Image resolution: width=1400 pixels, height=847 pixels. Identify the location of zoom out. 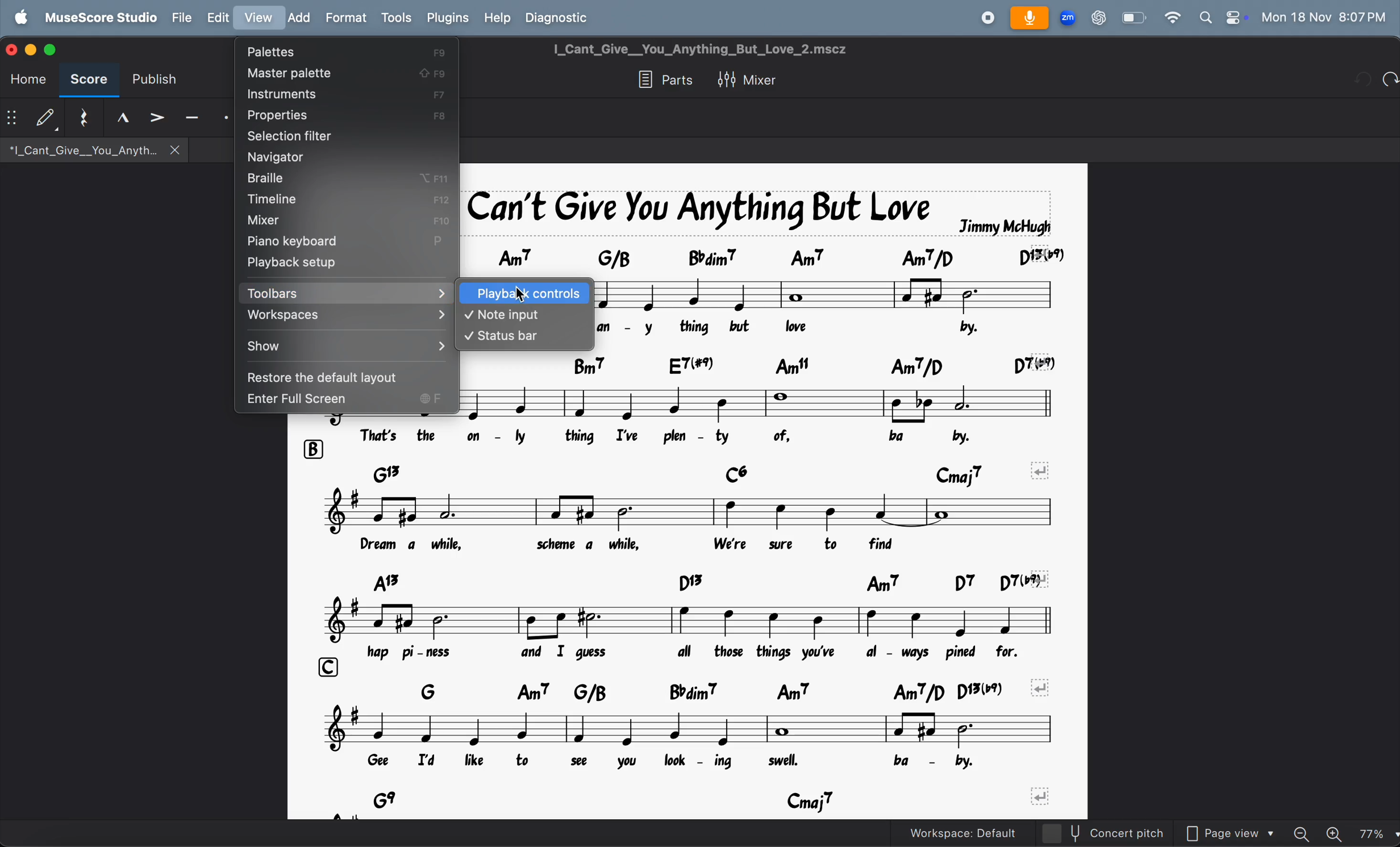
(1302, 834).